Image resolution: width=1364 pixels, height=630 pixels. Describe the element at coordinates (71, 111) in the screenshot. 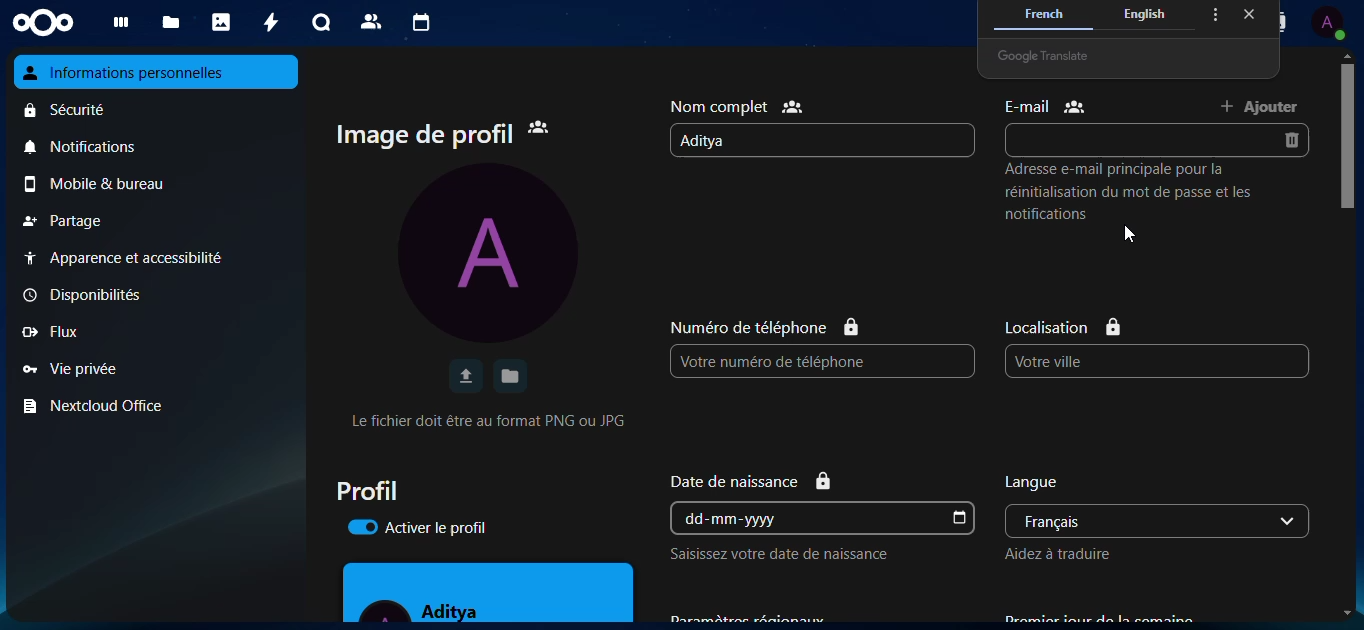

I see `securite` at that location.